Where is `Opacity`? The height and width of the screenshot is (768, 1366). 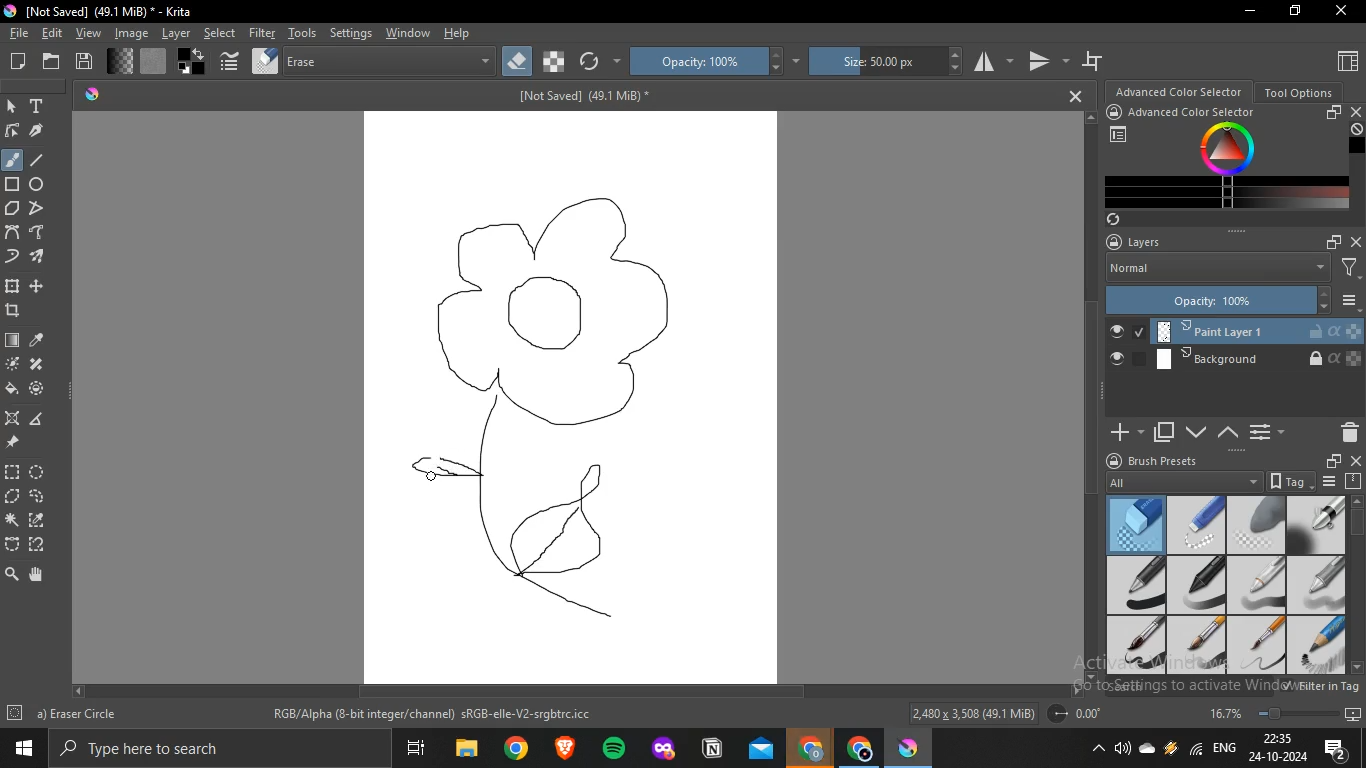 Opacity is located at coordinates (1218, 298).